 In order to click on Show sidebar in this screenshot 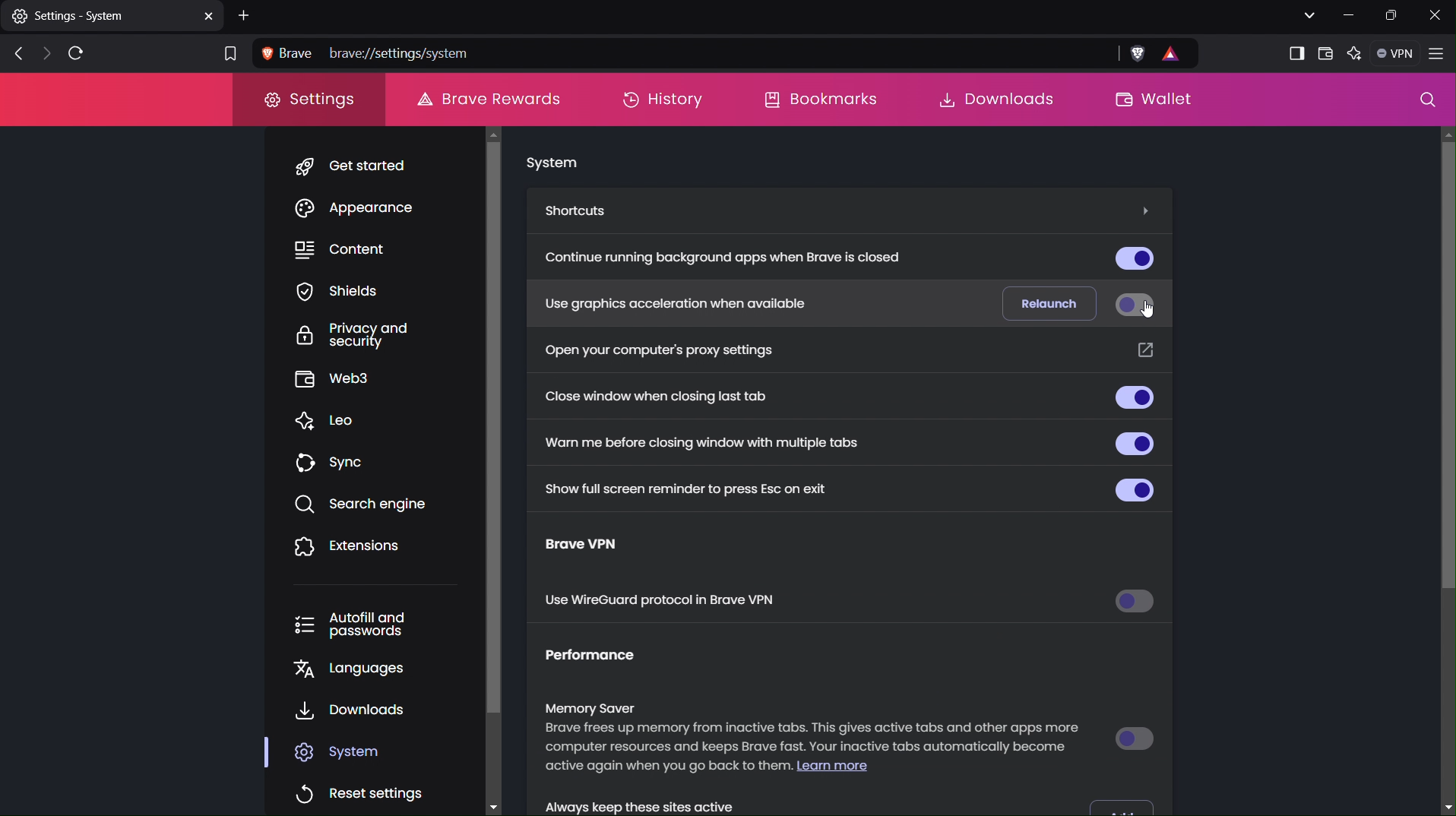, I will do `click(1296, 54)`.